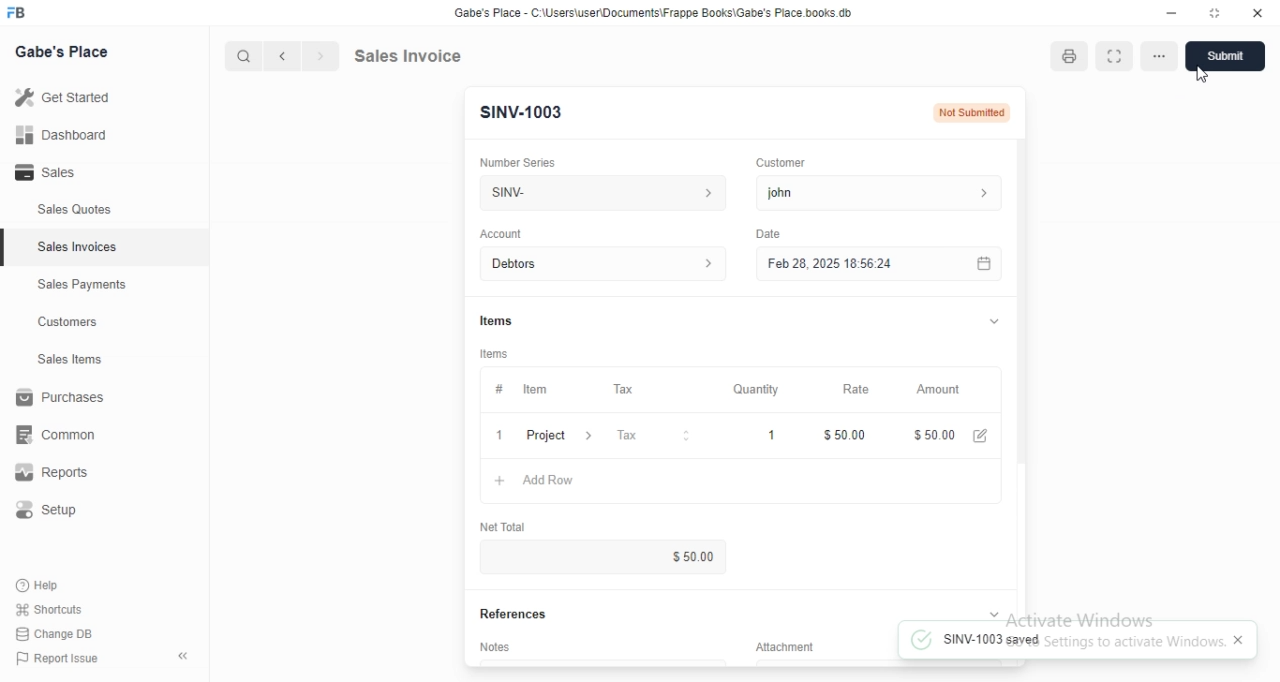 The image size is (1280, 682). I want to click on ‘Quantity, so click(755, 389).